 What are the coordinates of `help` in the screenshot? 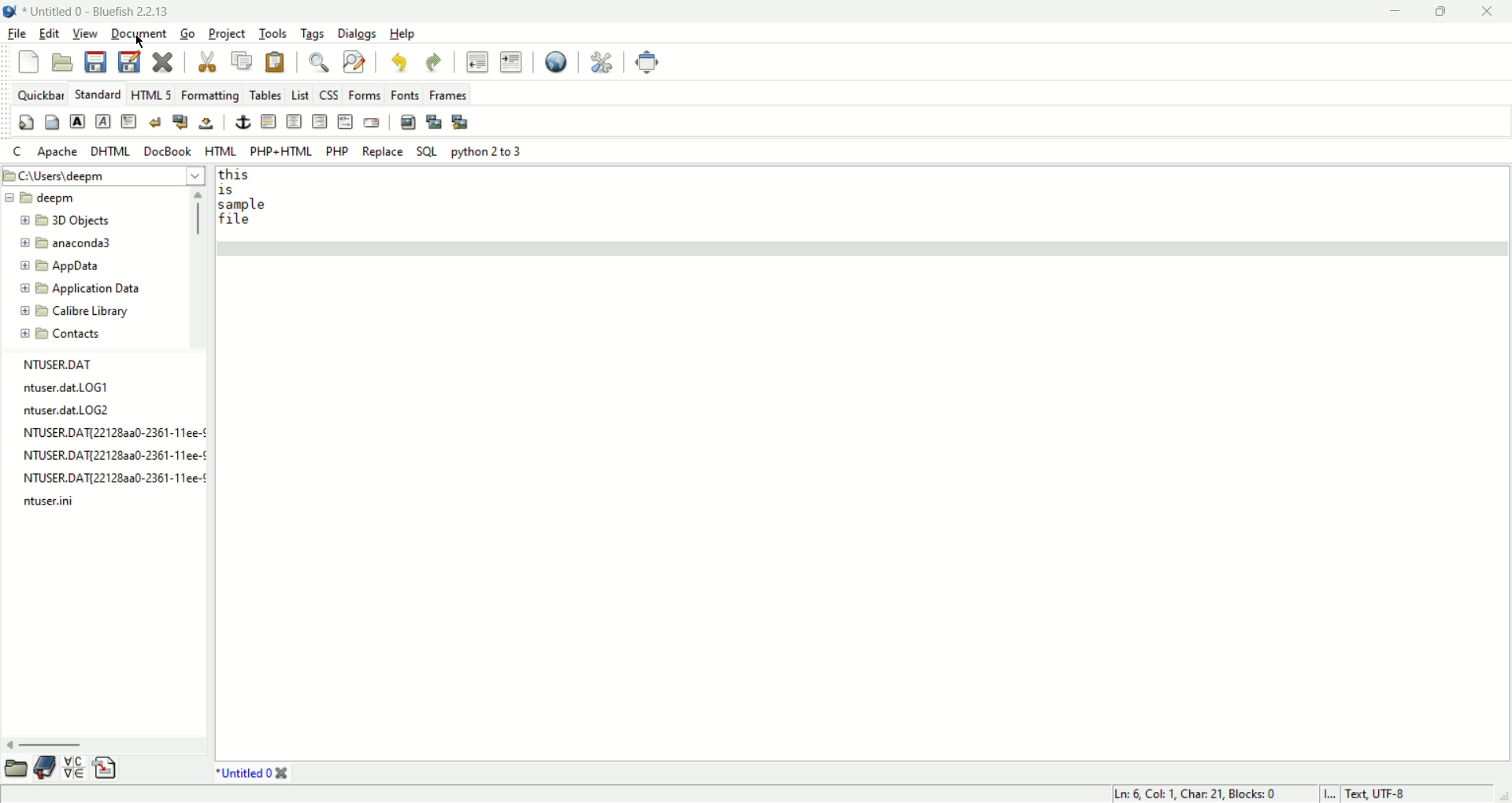 It's located at (404, 34).